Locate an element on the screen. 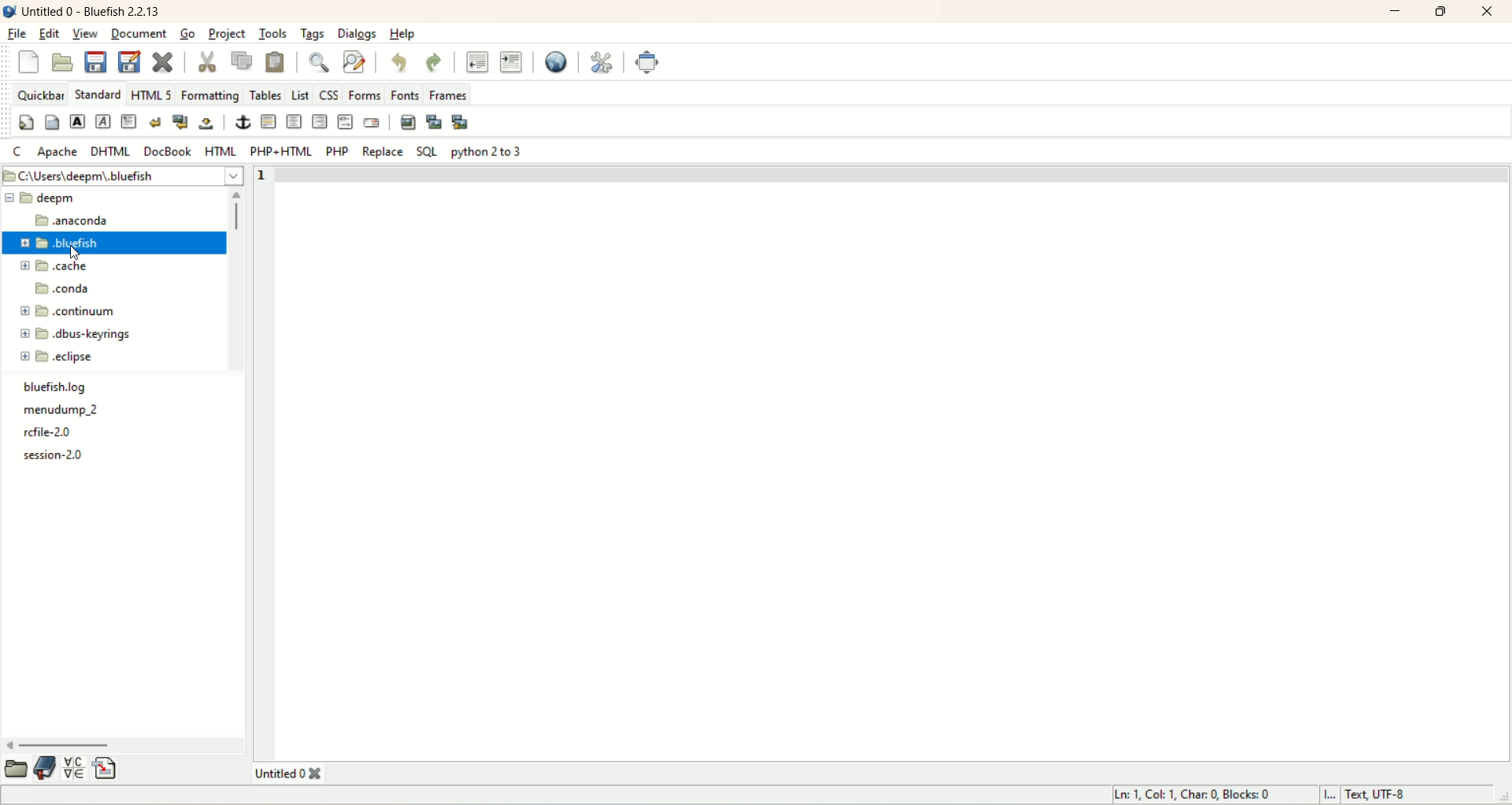  line number is located at coordinates (260, 176).